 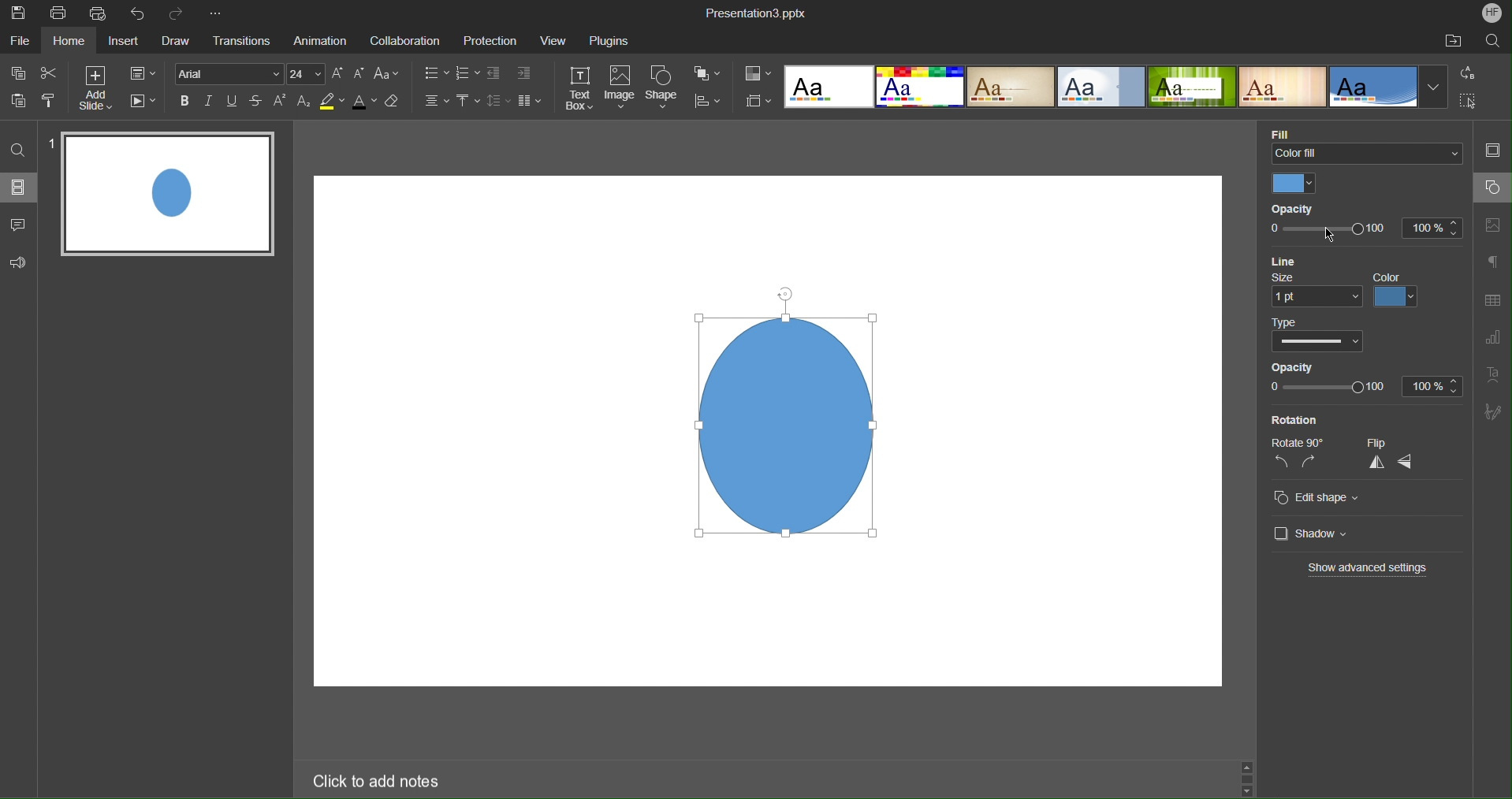 What do you see at coordinates (1492, 188) in the screenshot?
I see `Shape Settings` at bounding box center [1492, 188].